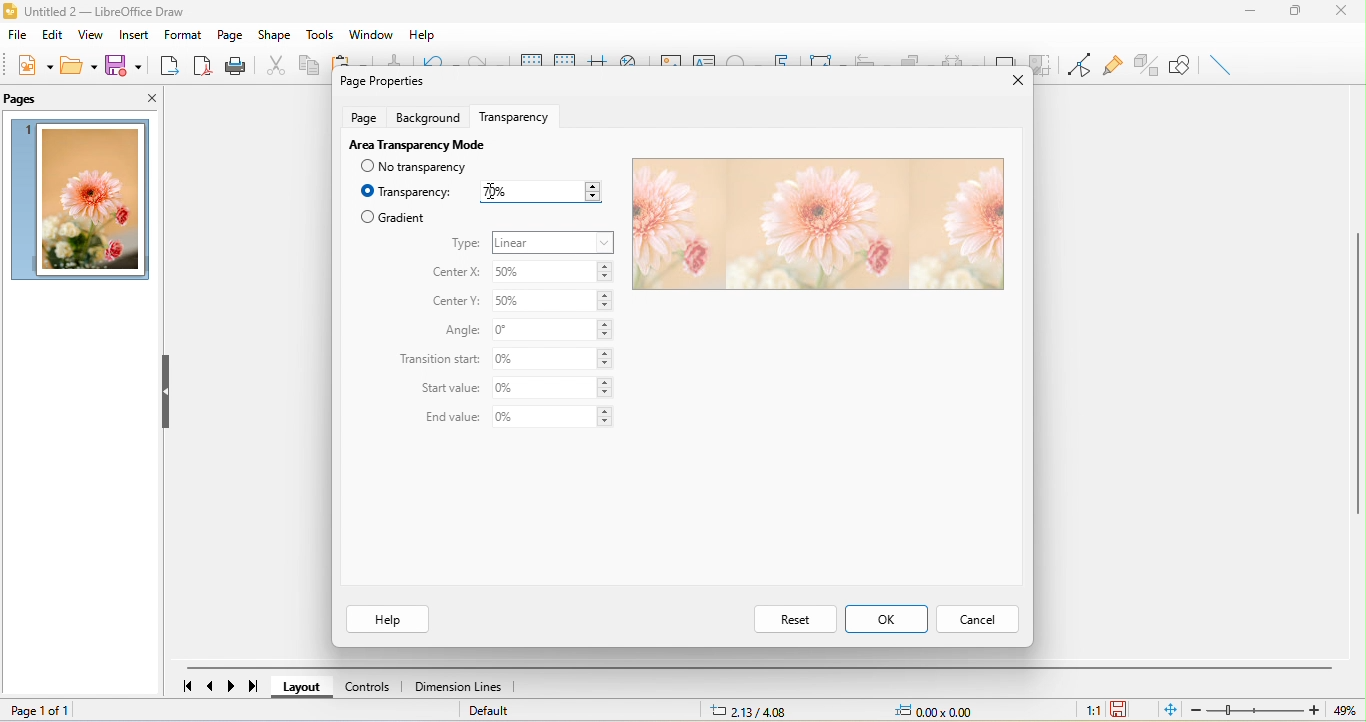 This screenshot has height=722, width=1366. Describe the element at coordinates (54, 34) in the screenshot. I see `edit` at that location.